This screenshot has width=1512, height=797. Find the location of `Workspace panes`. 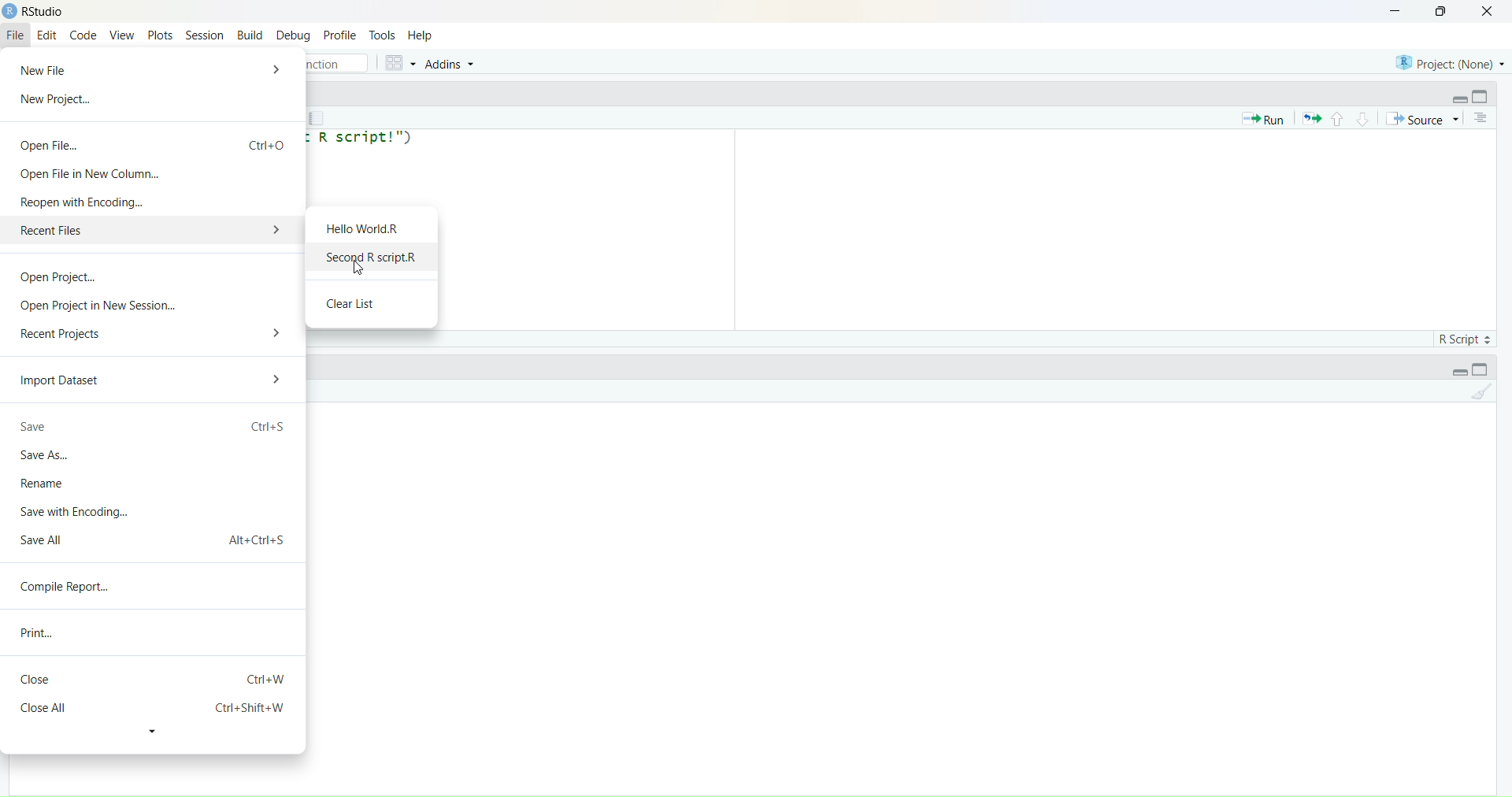

Workspace panes is located at coordinates (398, 62).